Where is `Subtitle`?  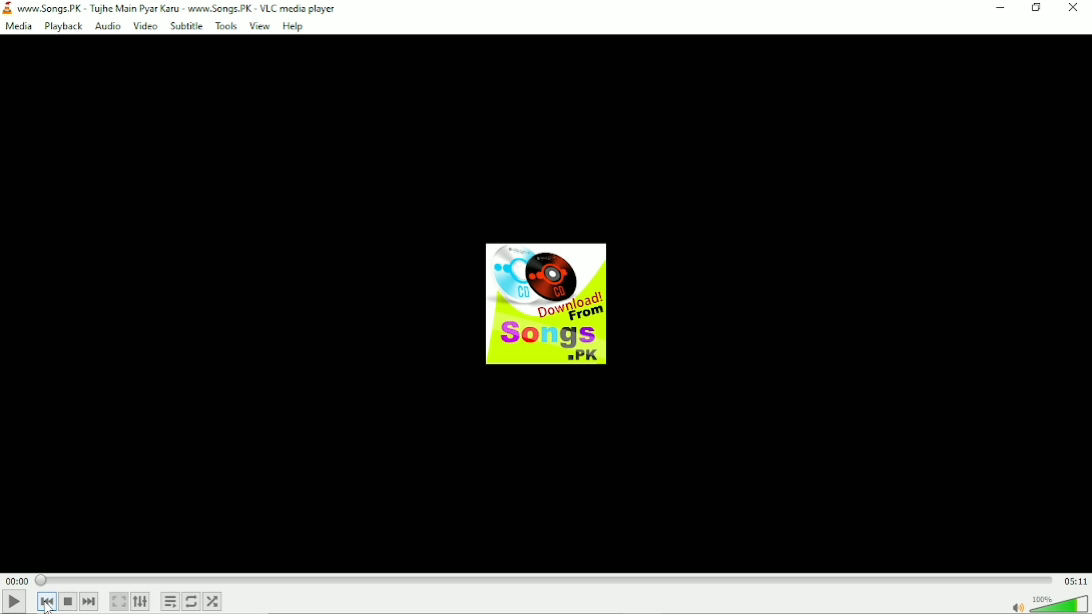 Subtitle is located at coordinates (186, 27).